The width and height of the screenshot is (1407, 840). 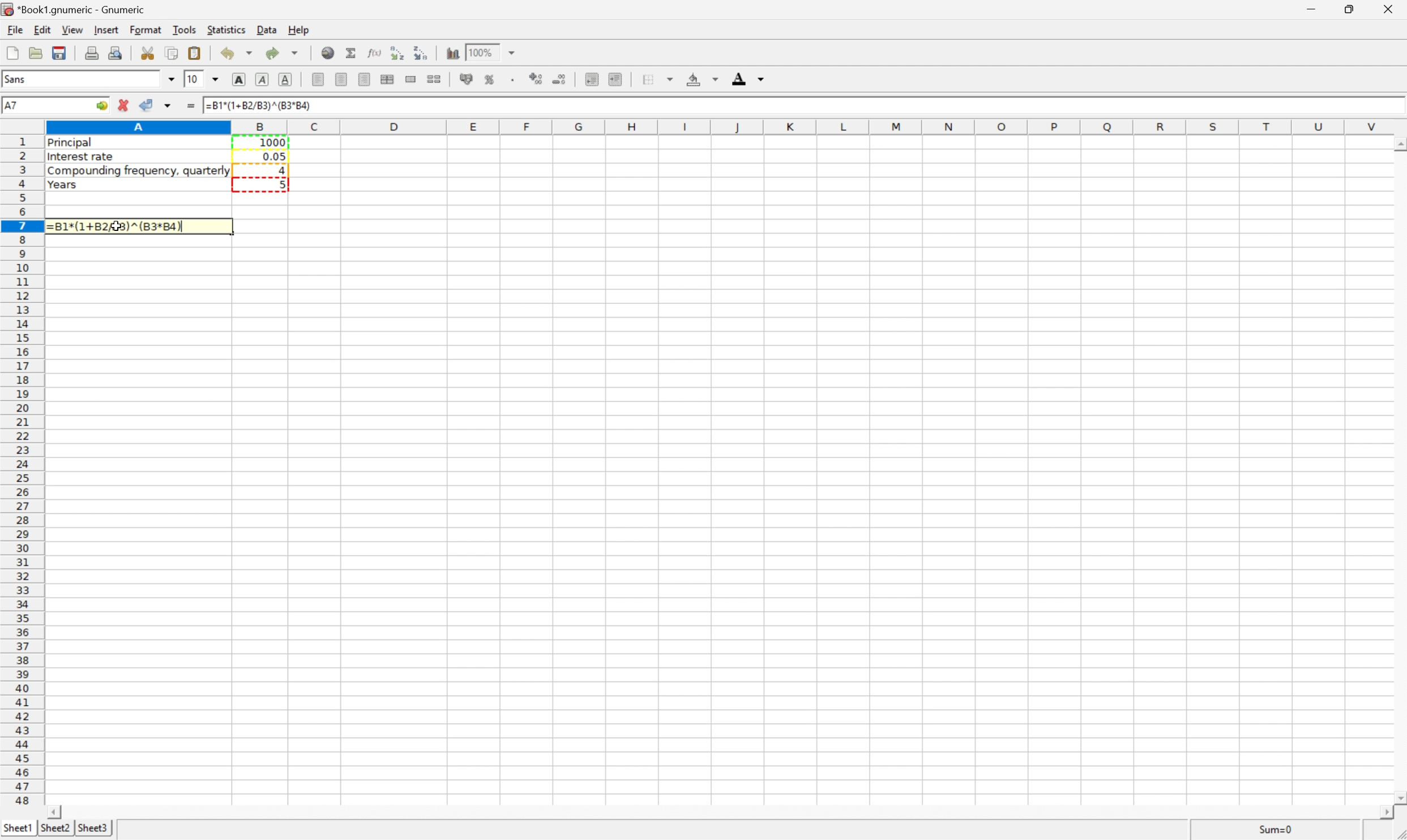 I want to click on center horizontally, so click(x=389, y=79).